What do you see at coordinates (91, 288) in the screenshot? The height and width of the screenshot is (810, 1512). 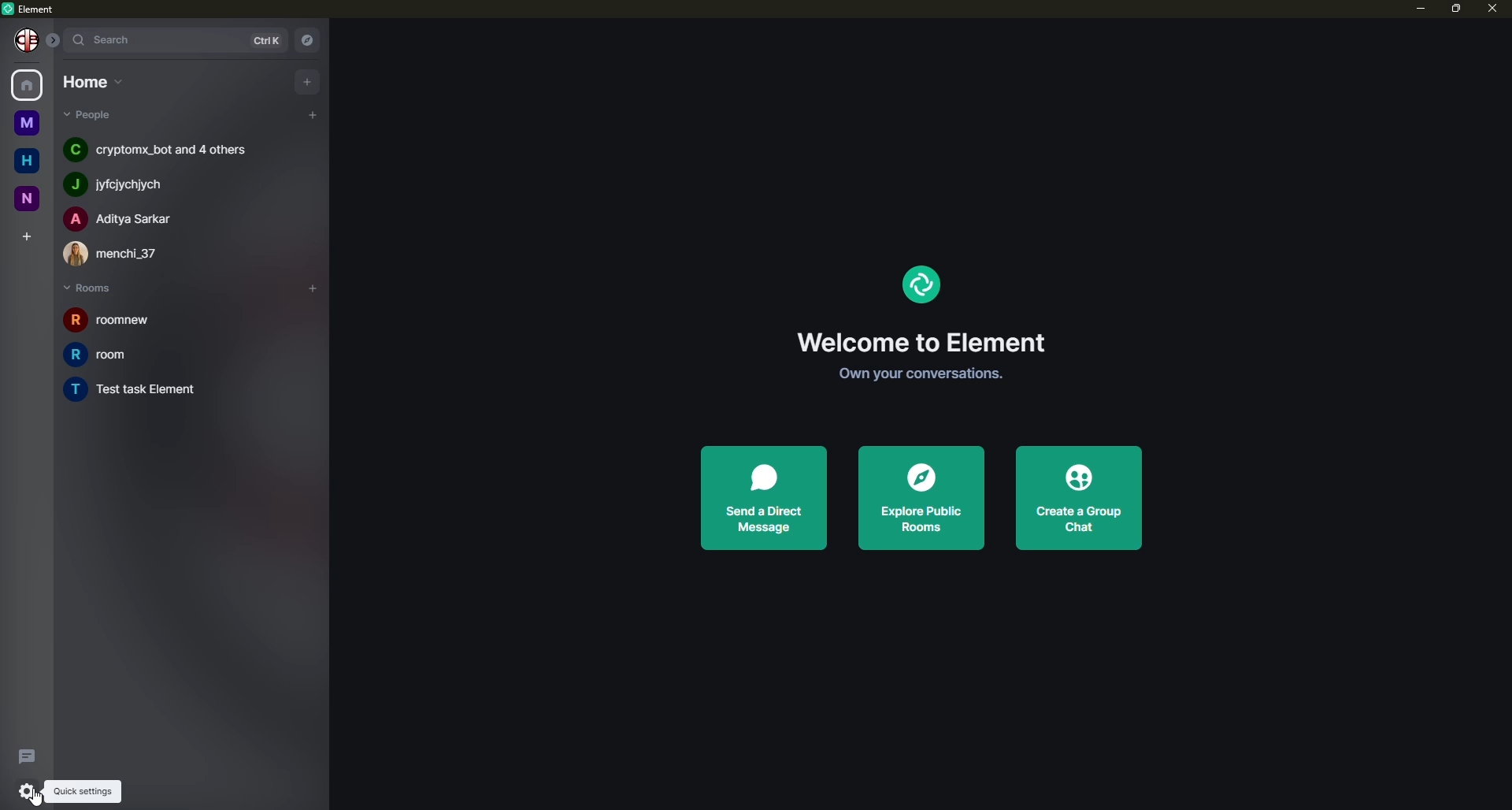 I see `rooms` at bounding box center [91, 288].